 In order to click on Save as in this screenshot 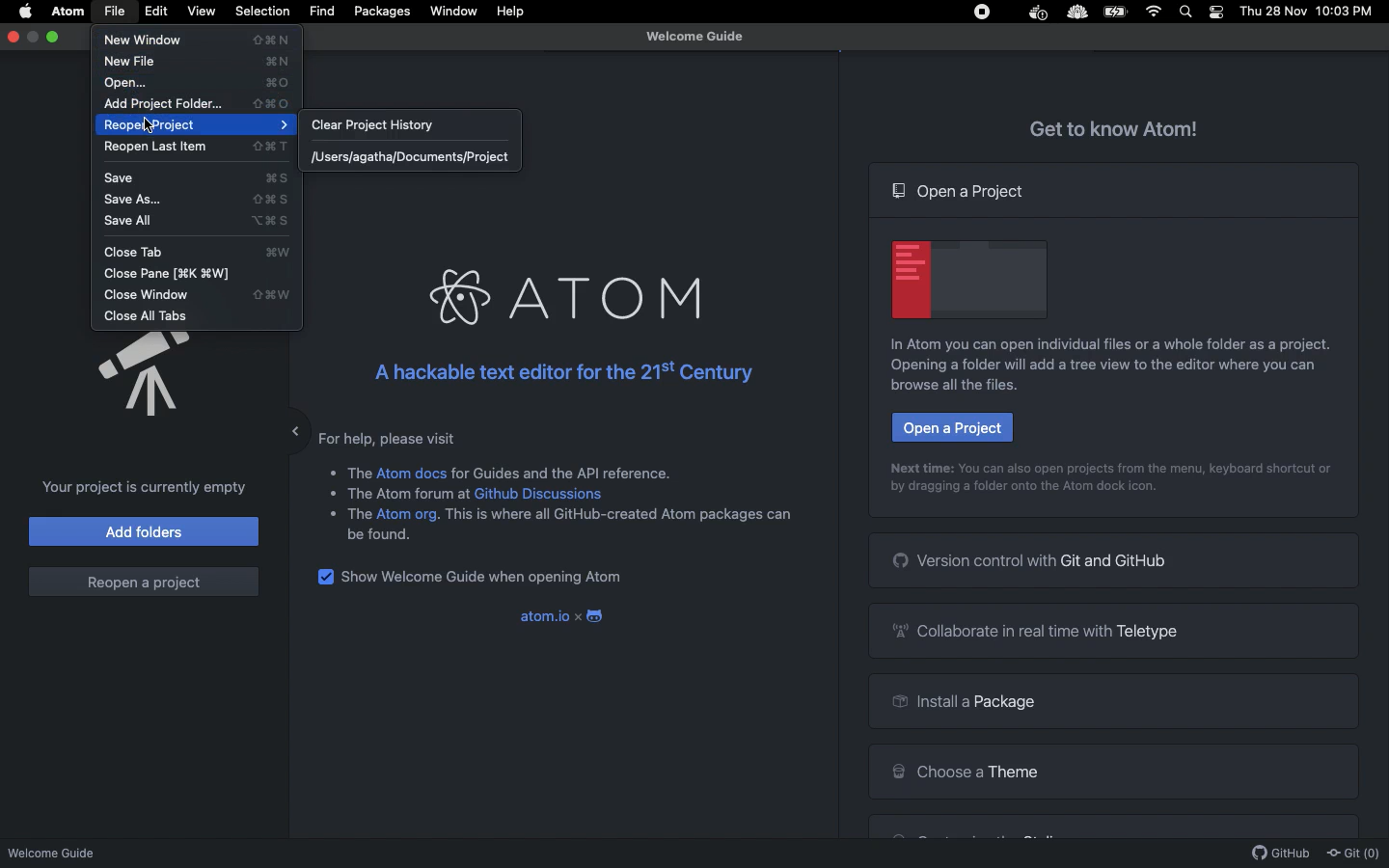, I will do `click(202, 200)`.